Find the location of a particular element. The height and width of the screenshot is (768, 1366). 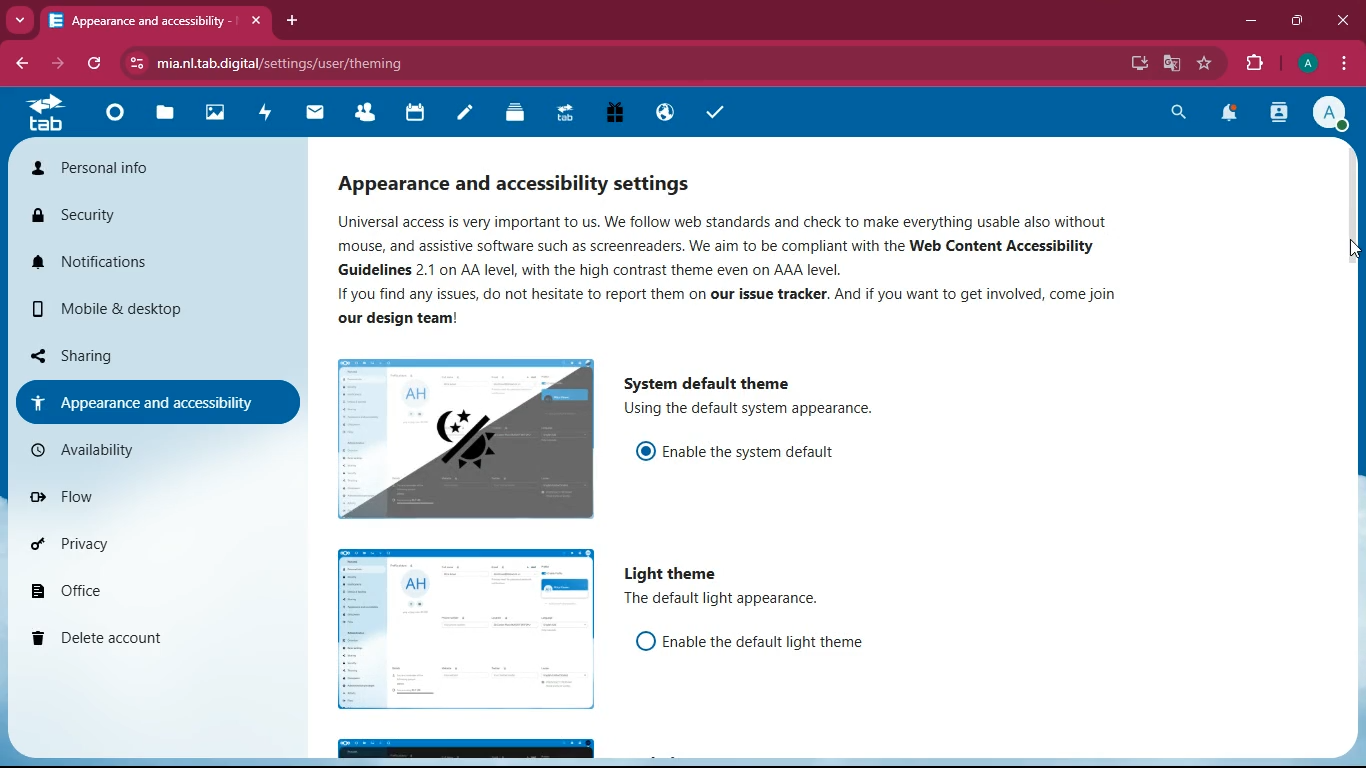

google translate is located at coordinates (1170, 64).